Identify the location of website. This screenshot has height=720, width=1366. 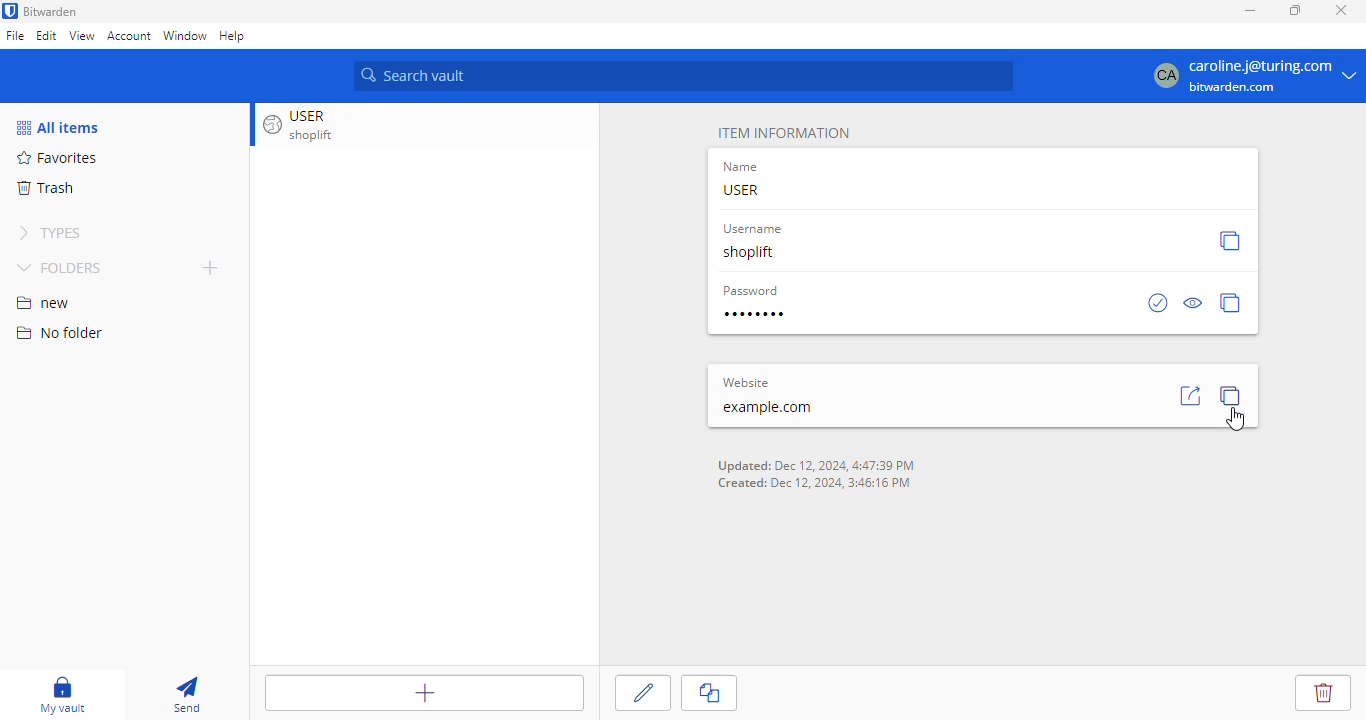
(745, 382).